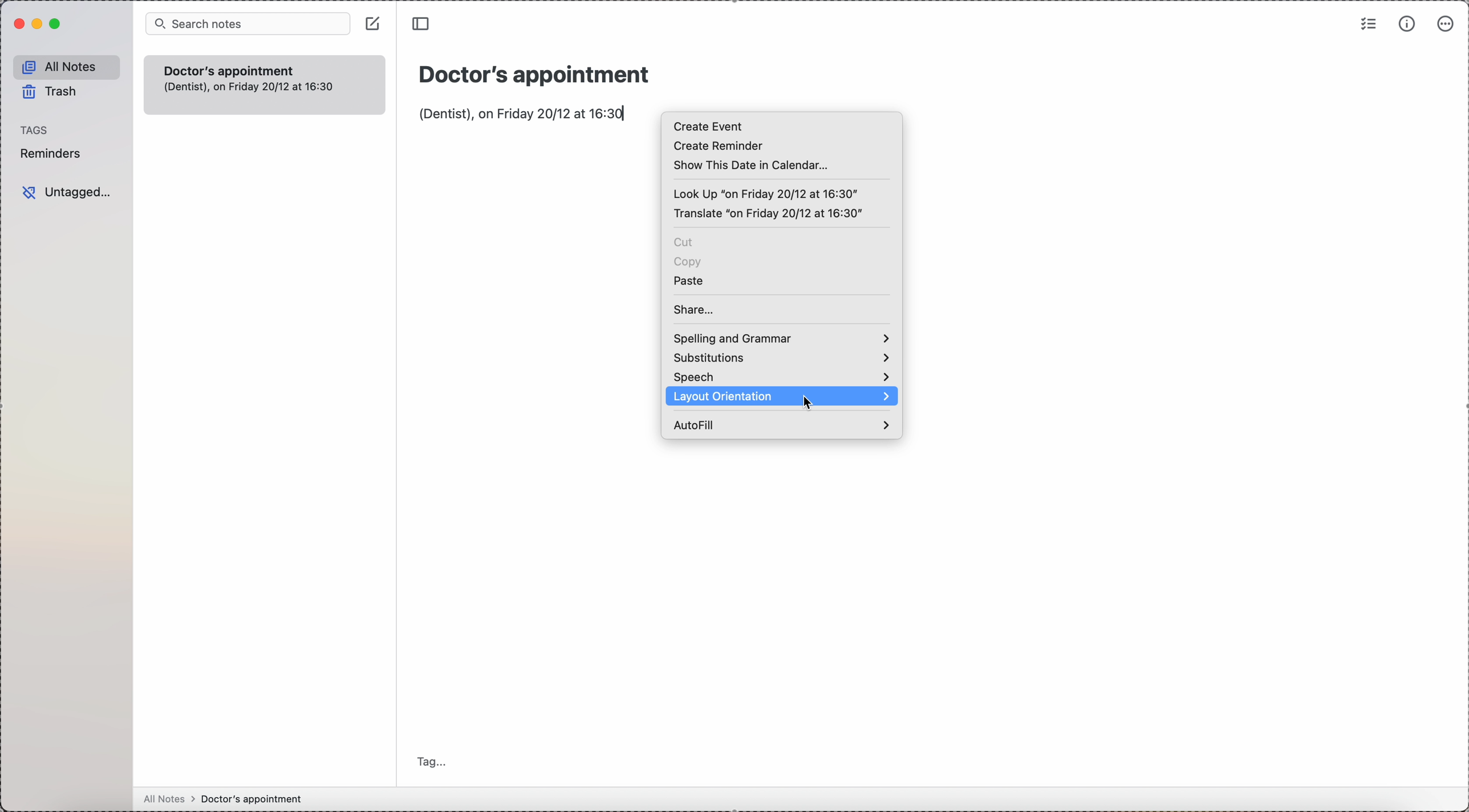 This screenshot has width=1469, height=812. Describe the element at coordinates (423, 26) in the screenshot. I see `toggle sidebar` at that location.